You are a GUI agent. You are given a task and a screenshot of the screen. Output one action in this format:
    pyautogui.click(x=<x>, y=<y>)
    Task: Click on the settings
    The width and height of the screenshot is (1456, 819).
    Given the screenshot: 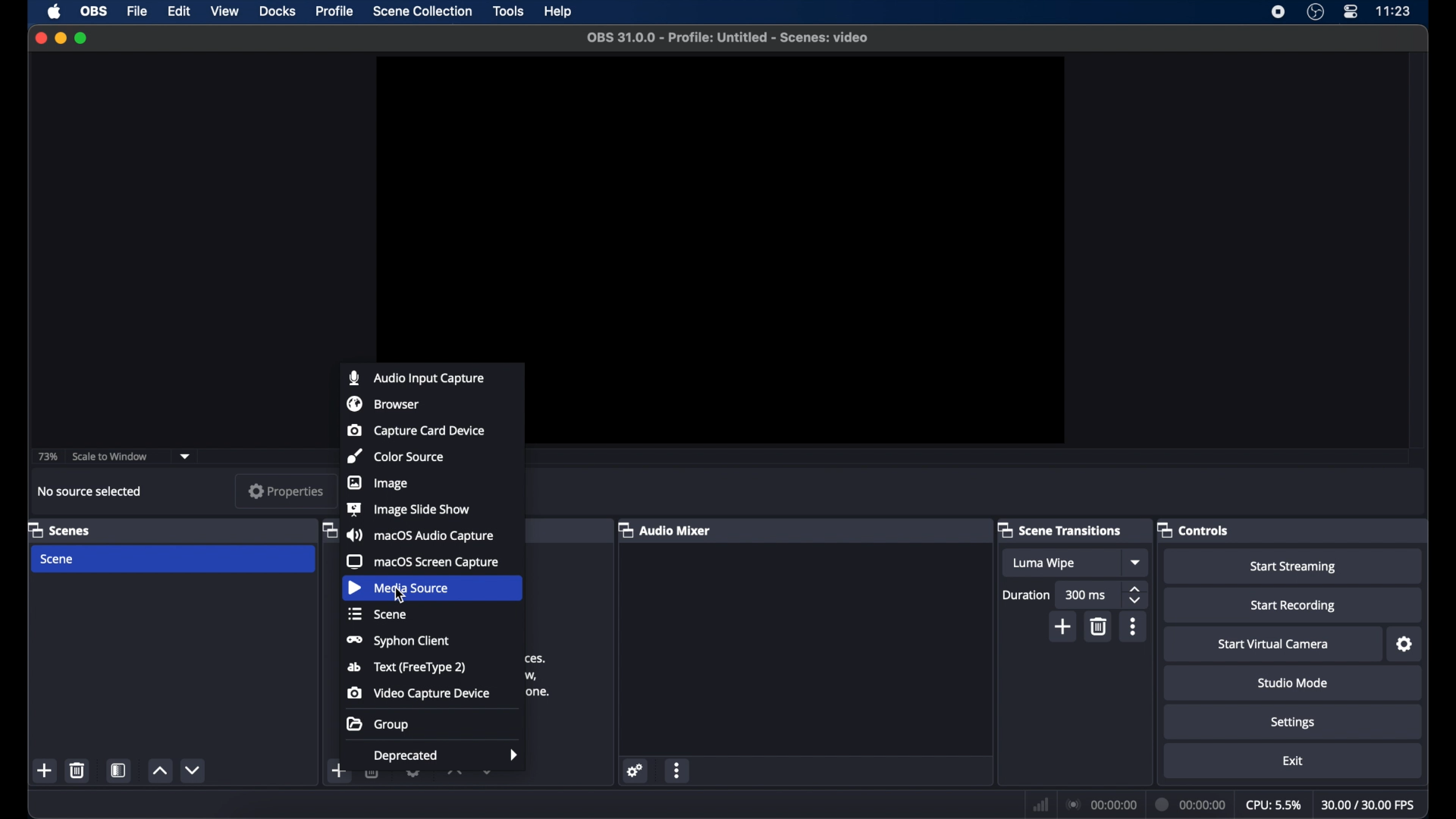 What is the action you would take?
    pyautogui.click(x=1406, y=645)
    